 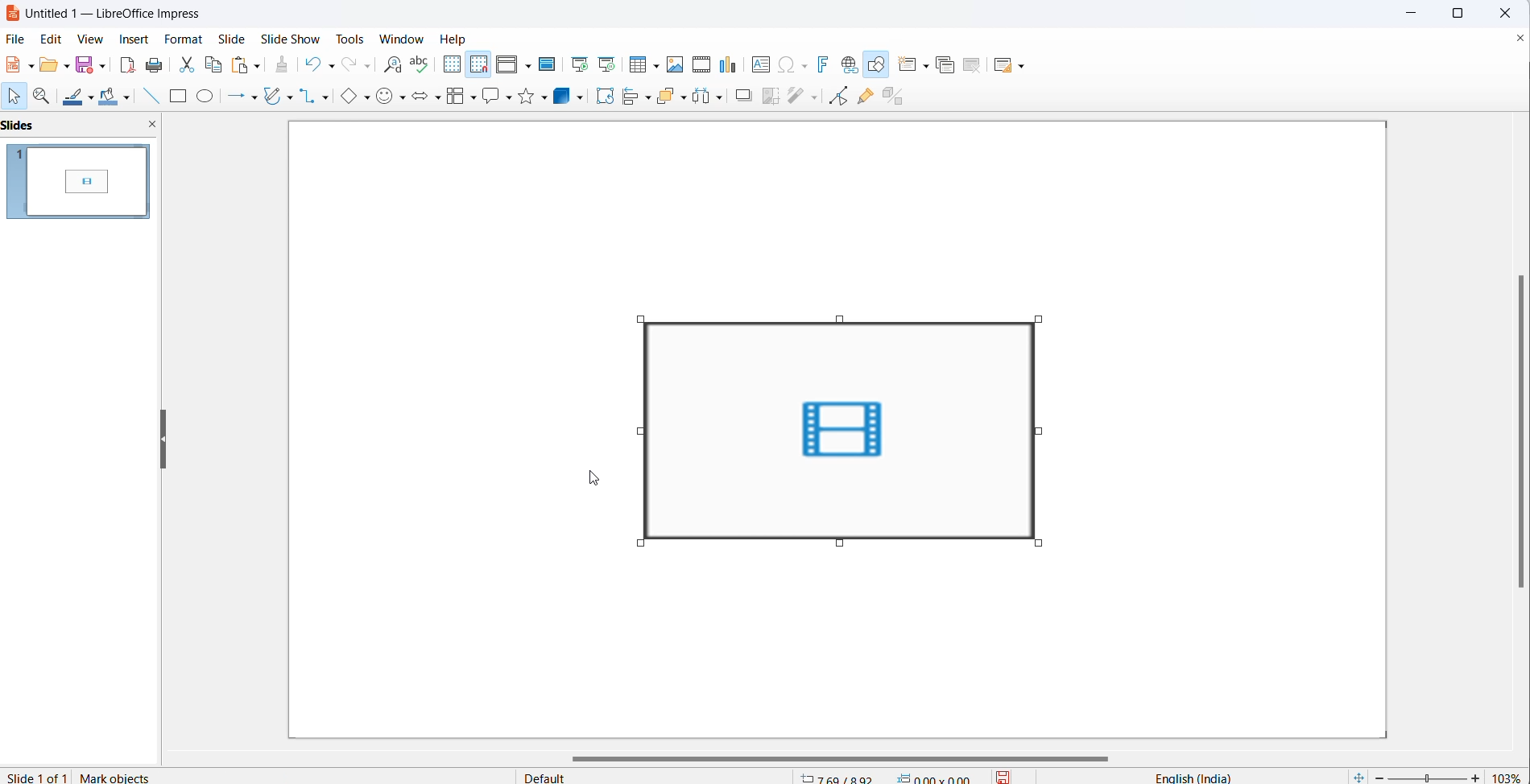 I want to click on text language, so click(x=1181, y=776).